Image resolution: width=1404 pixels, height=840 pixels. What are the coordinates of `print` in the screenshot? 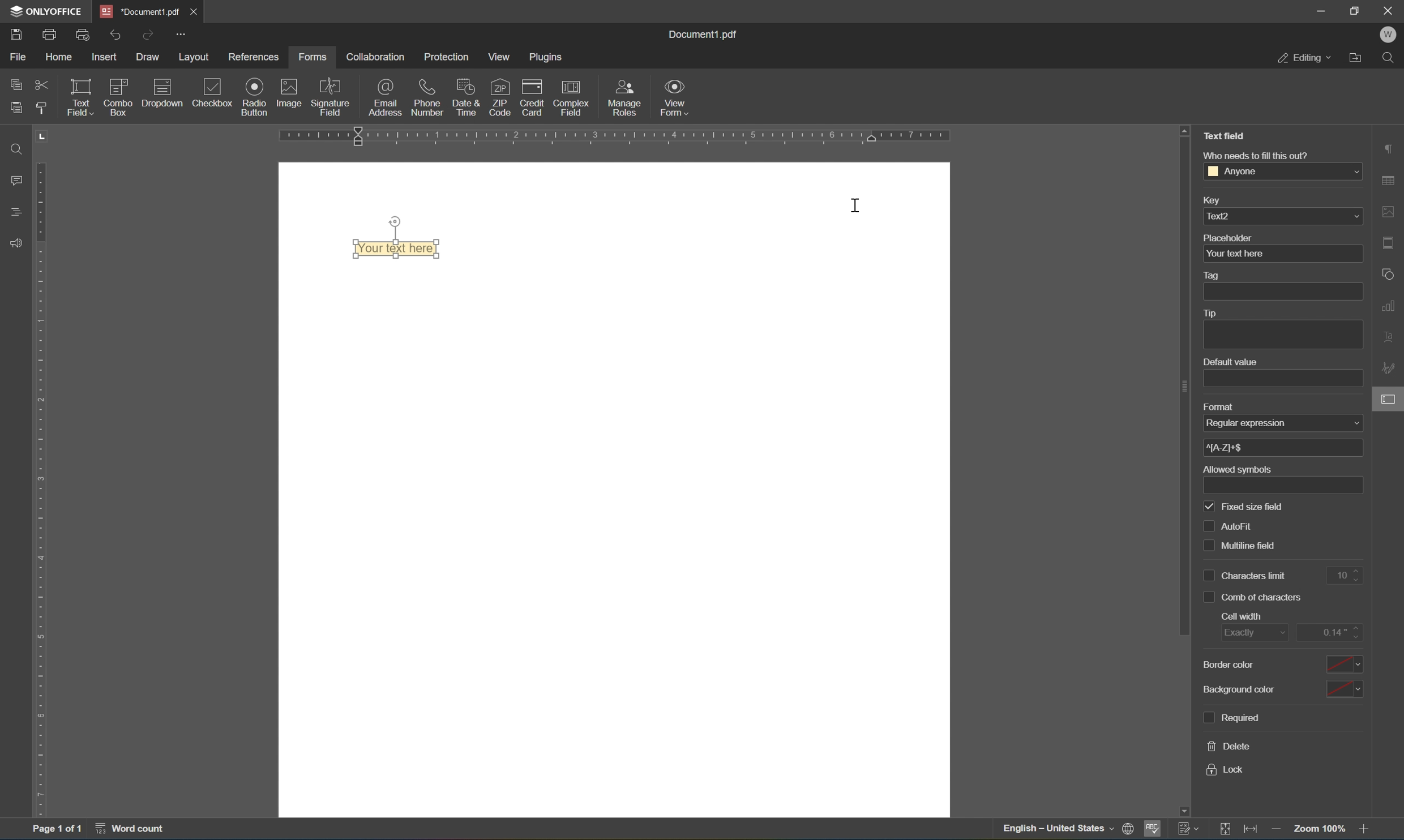 It's located at (48, 33).